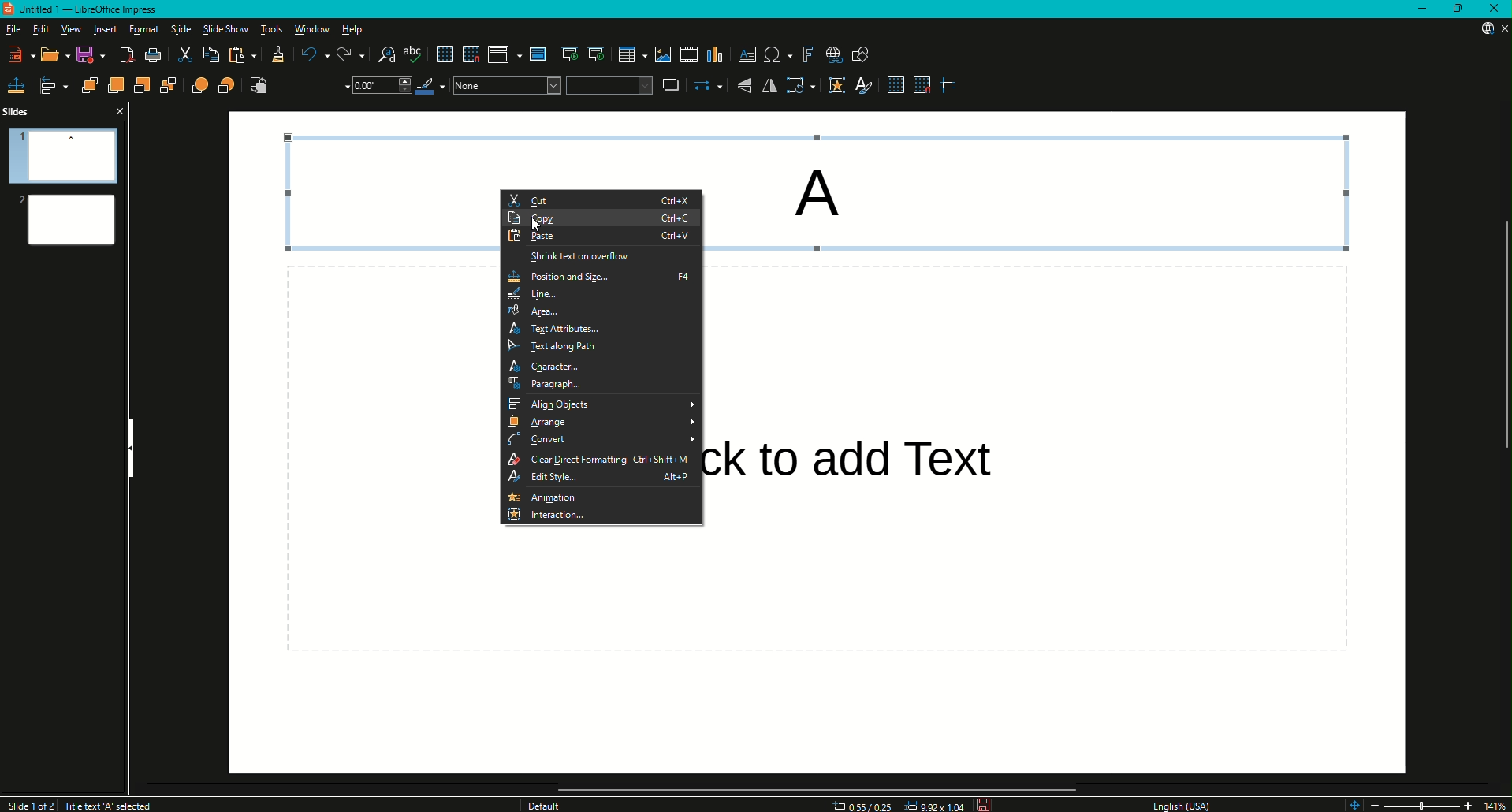  What do you see at coordinates (600, 422) in the screenshot?
I see `Arrange` at bounding box center [600, 422].